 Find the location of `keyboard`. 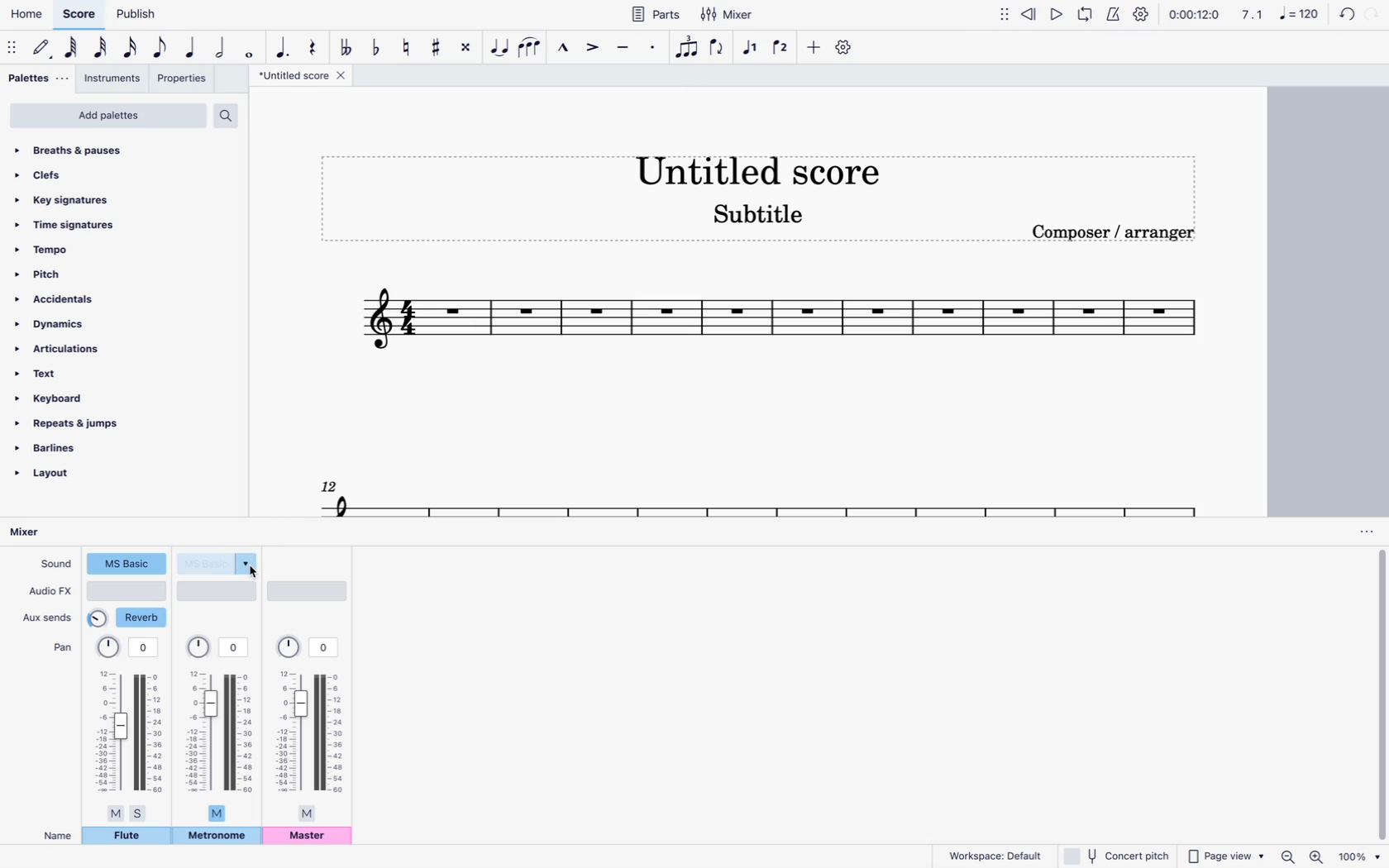

keyboard is located at coordinates (94, 398).